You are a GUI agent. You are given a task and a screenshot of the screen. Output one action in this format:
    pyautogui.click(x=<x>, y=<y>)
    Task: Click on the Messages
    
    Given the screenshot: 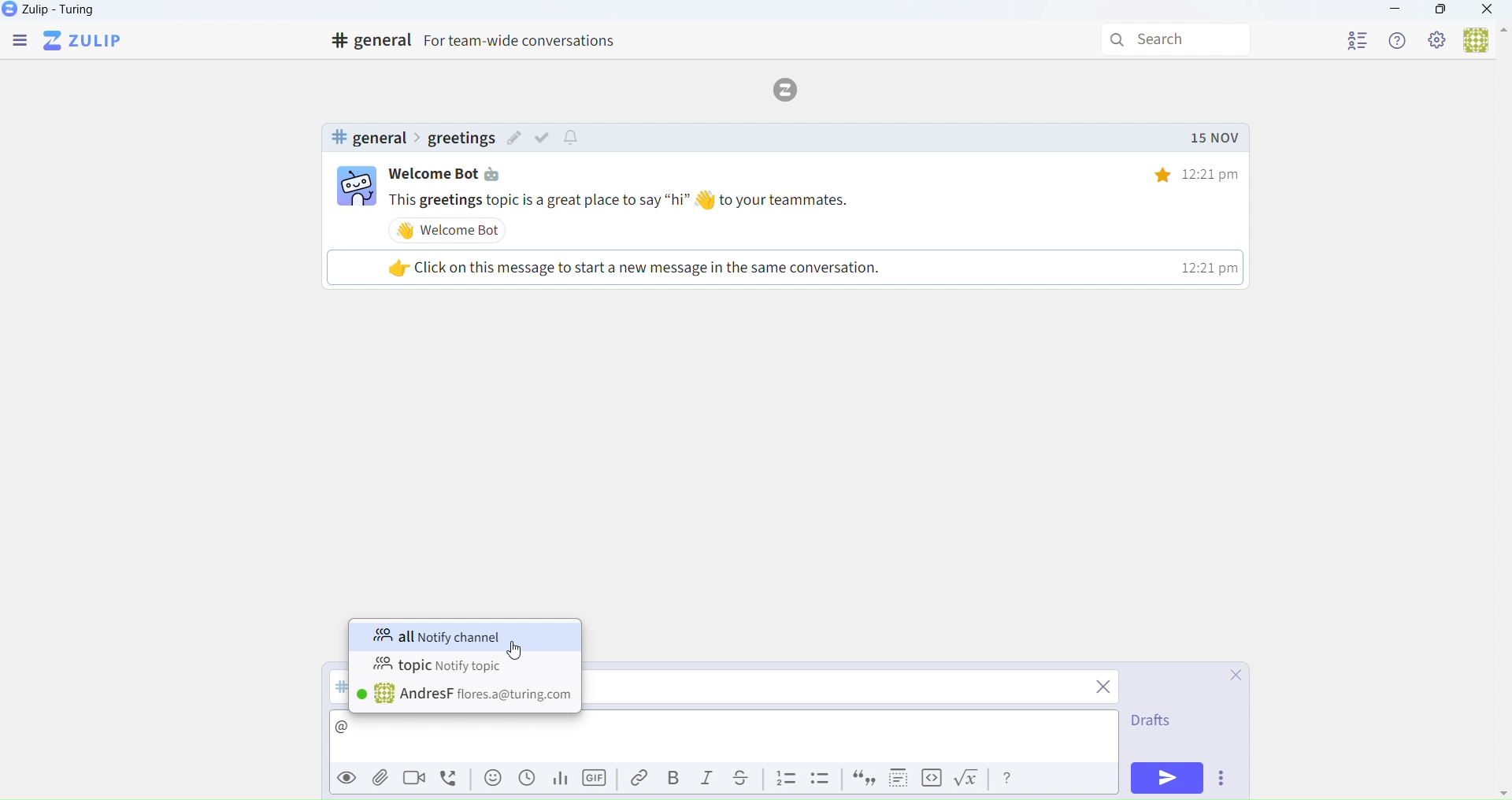 What is the action you would take?
    pyautogui.click(x=818, y=200)
    